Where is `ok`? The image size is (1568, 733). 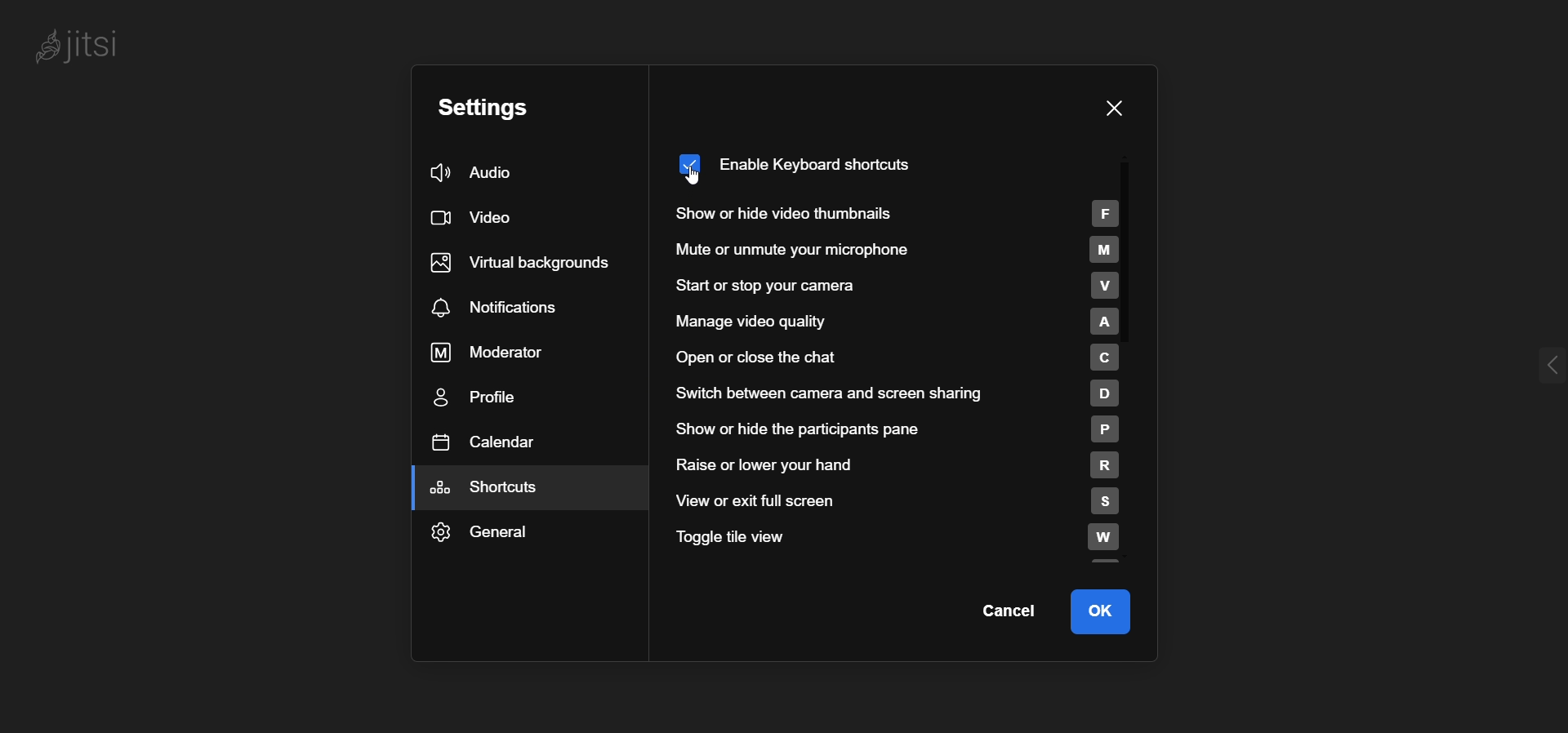
ok is located at coordinates (1113, 611).